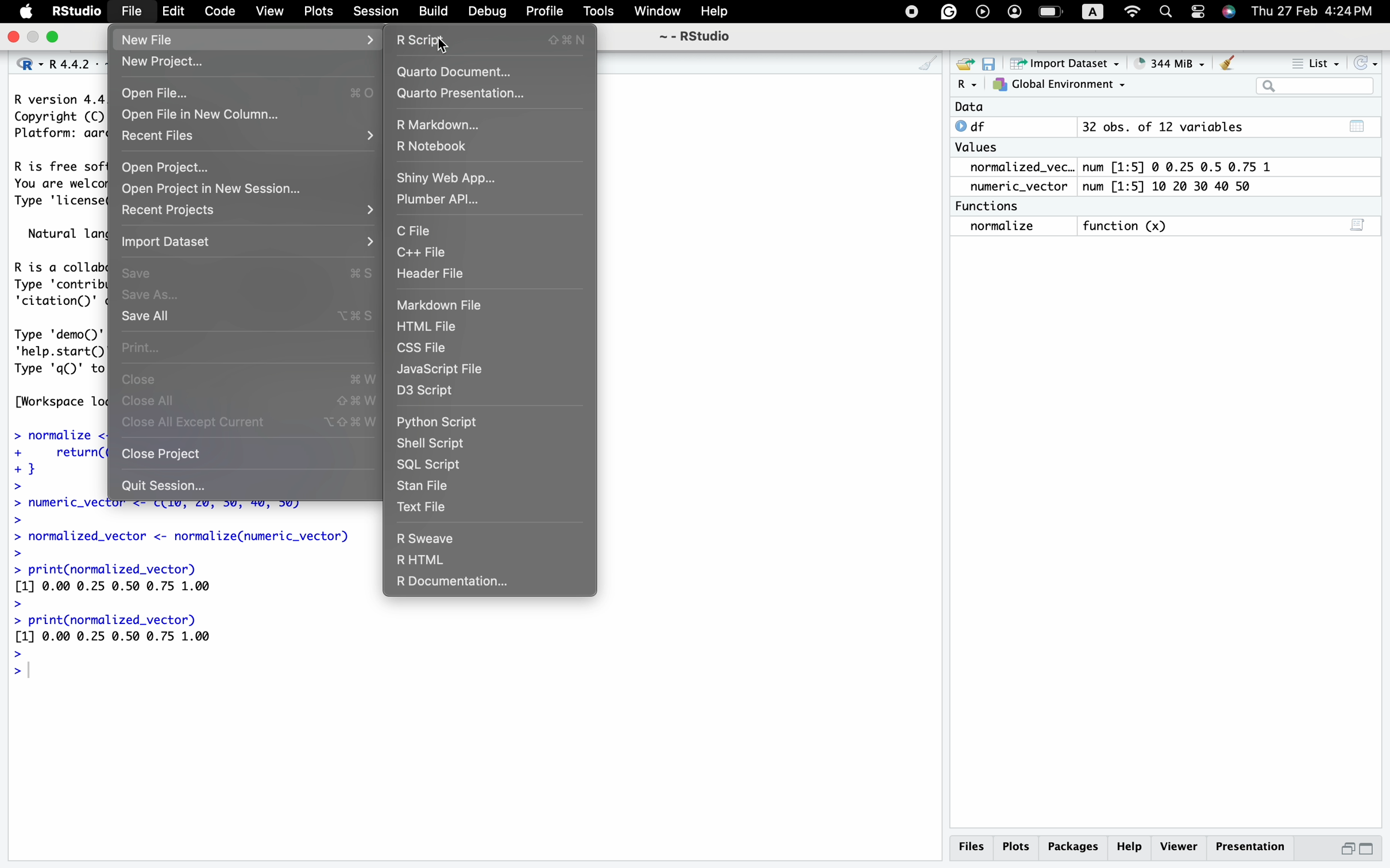 This screenshot has width=1390, height=868. What do you see at coordinates (174, 13) in the screenshot?
I see `Edit` at bounding box center [174, 13].